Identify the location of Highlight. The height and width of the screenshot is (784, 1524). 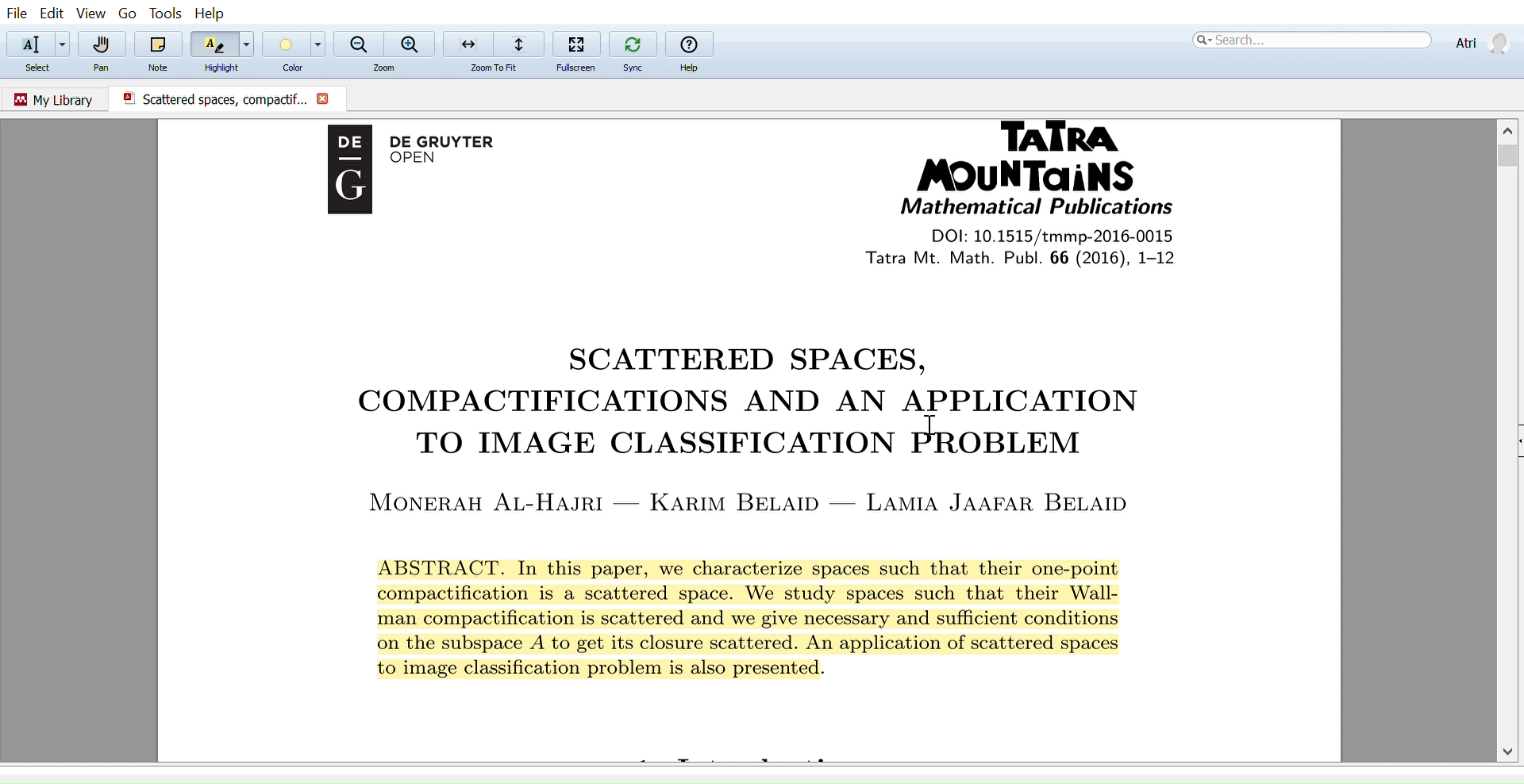
(214, 44).